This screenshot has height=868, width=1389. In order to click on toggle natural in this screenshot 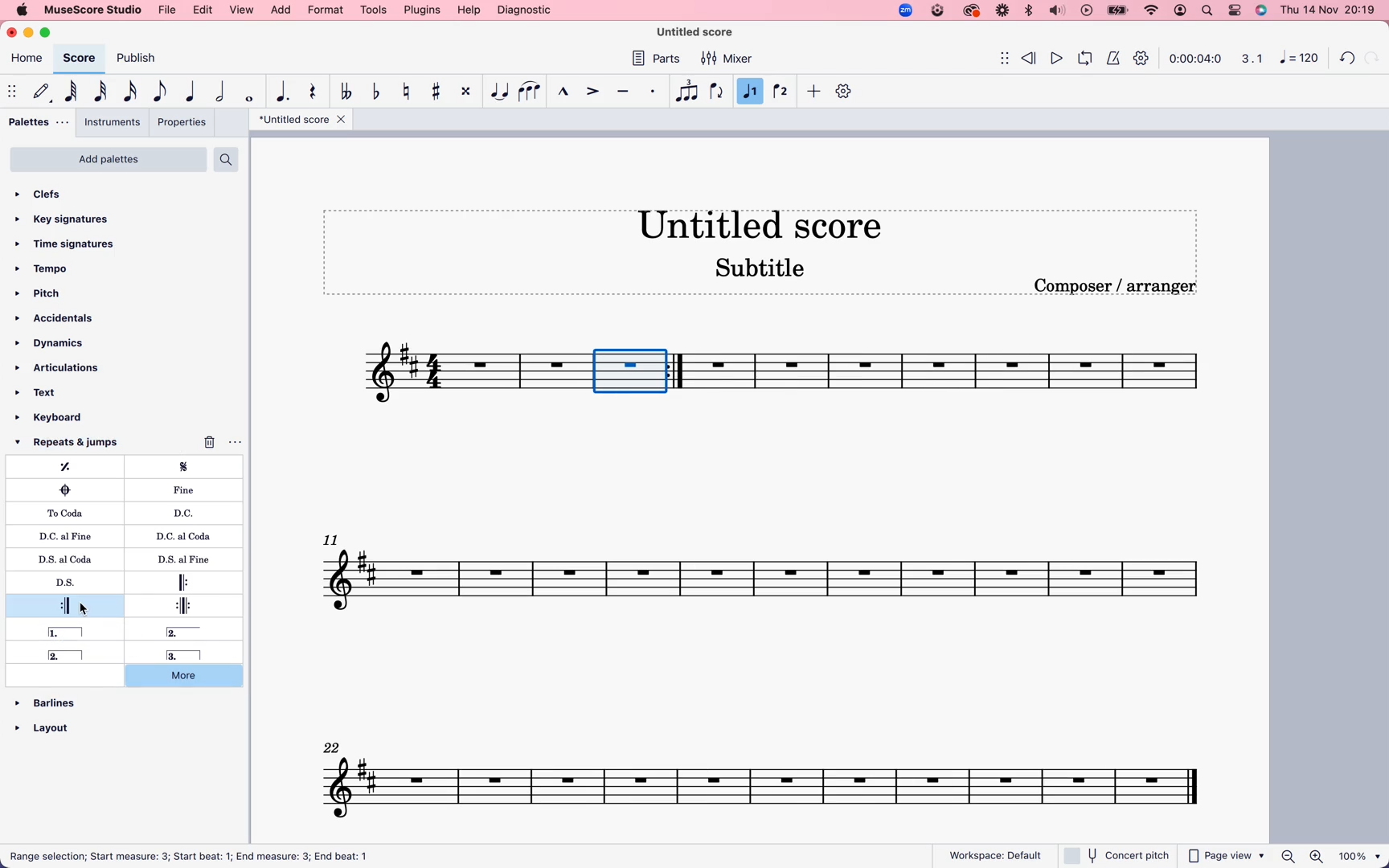, I will do `click(409, 92)`.